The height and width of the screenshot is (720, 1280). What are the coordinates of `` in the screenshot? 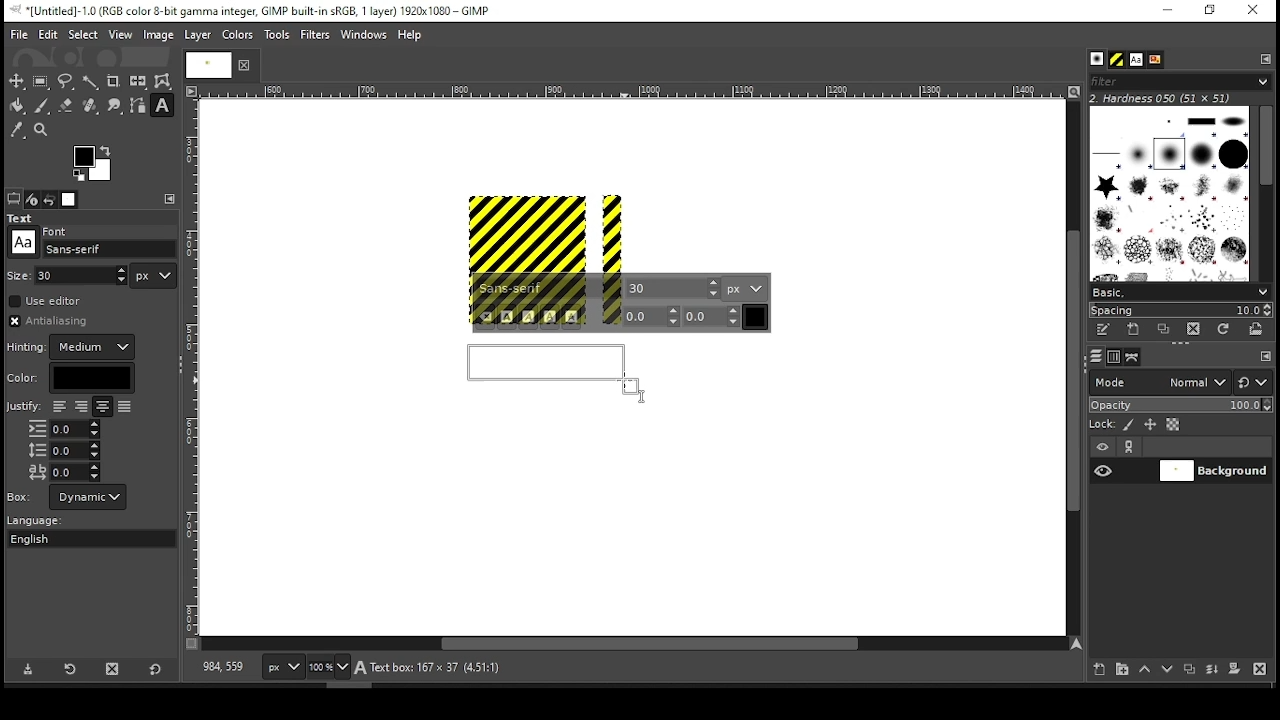 It's located at (19, 274).